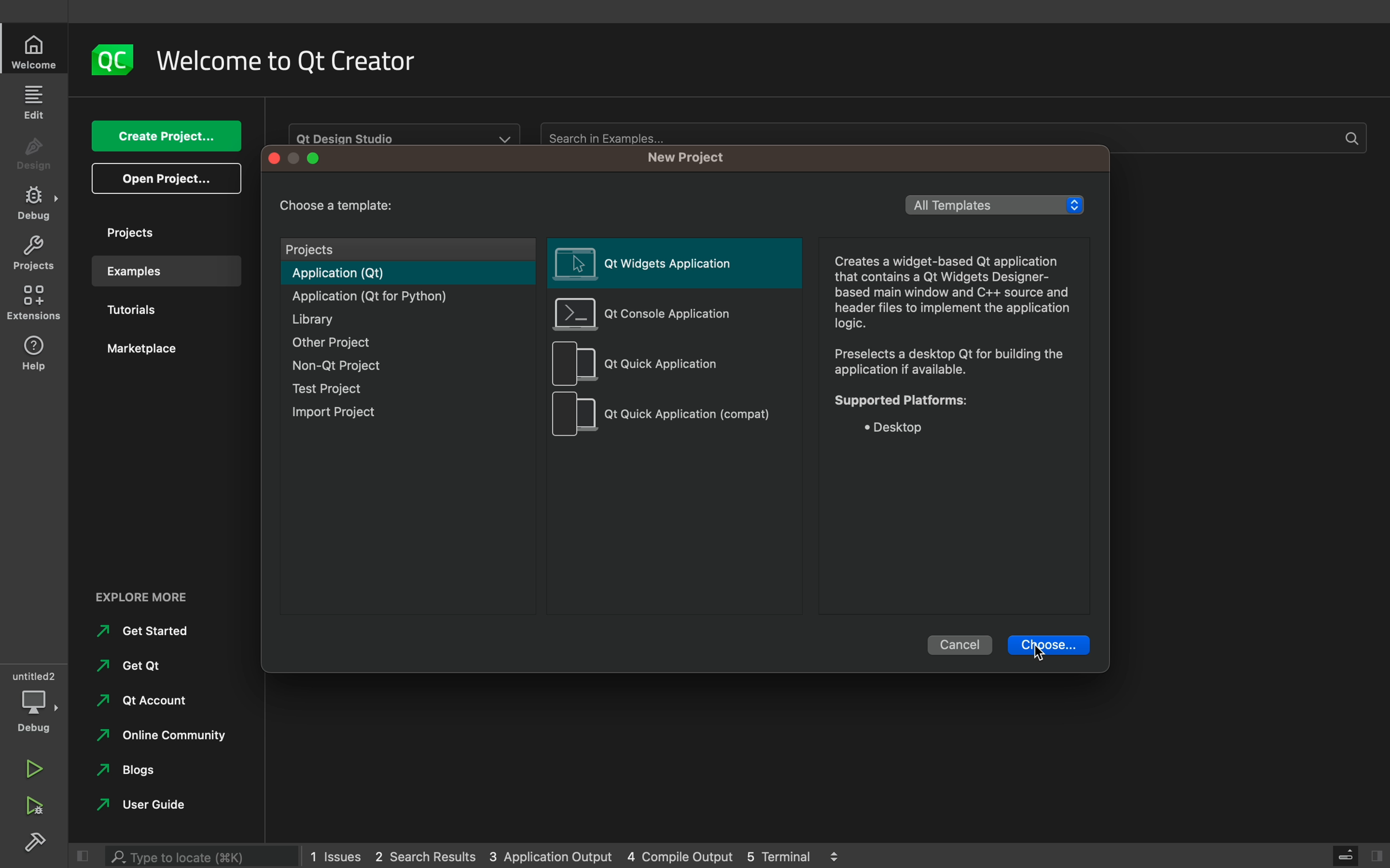 The width and height of the screenshot is (1390, 868). What do you see at coordinates (697, 158) in the screenshot?
I see `new project` at bounding box center [697, 158].